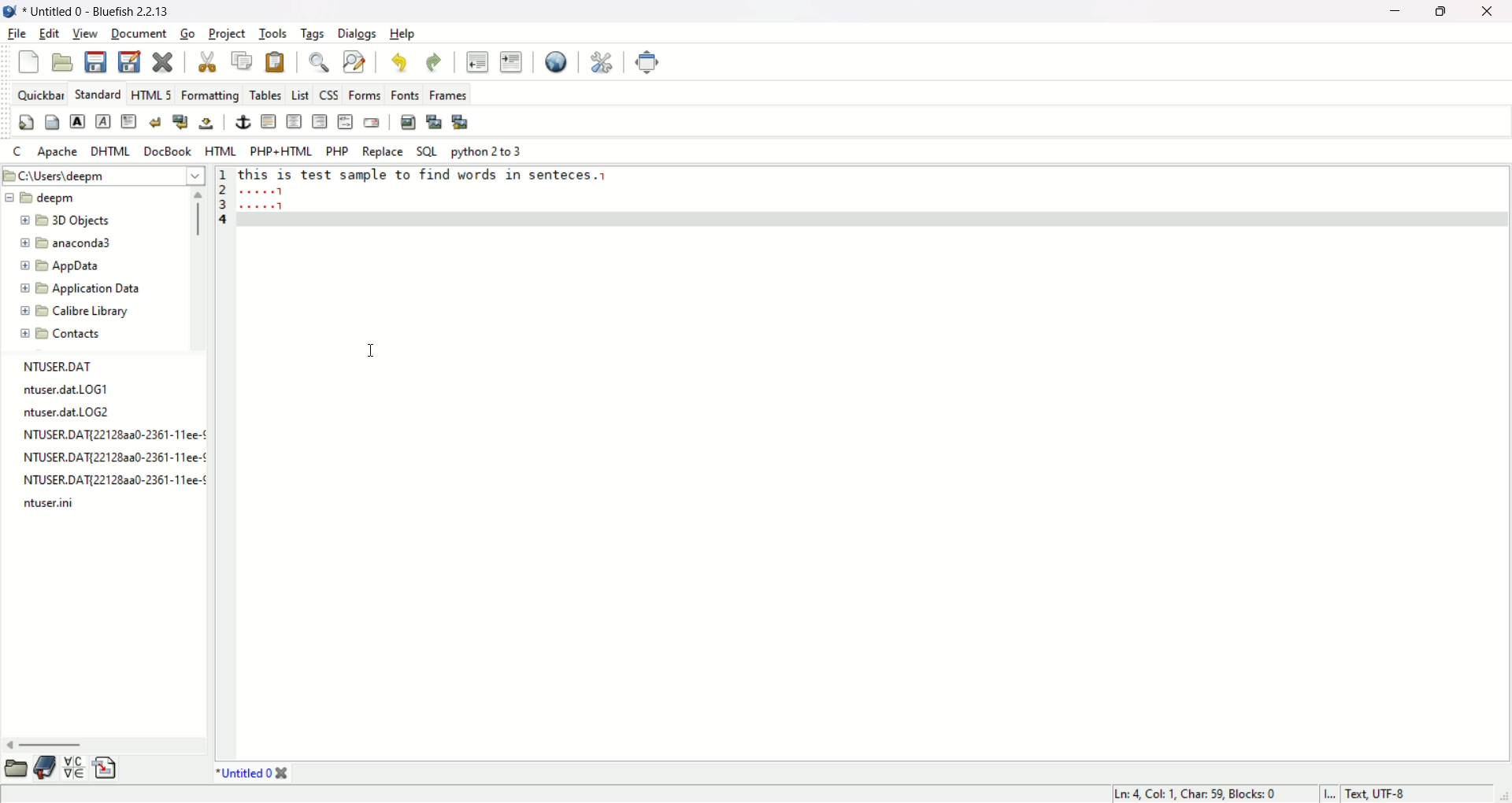 Image resolution: width=1512 pixels, height=803 pixels. Describe the element at coordinates (77, 121) in the screenshot. I see `strong` at that location.